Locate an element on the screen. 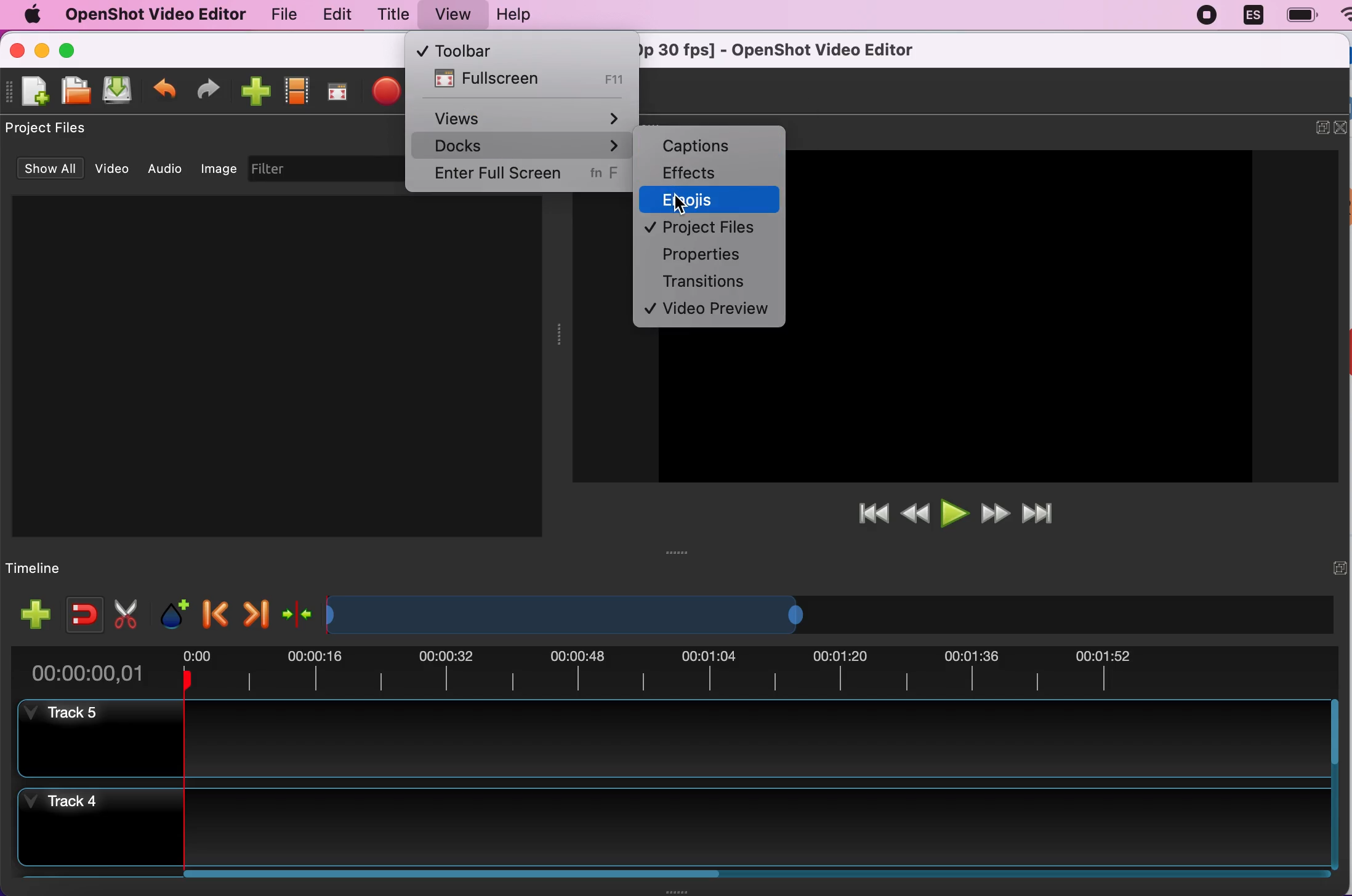 Image resolution: width=1352 pixels, height=896 pixels. cut is located at coordinates (126, 613).